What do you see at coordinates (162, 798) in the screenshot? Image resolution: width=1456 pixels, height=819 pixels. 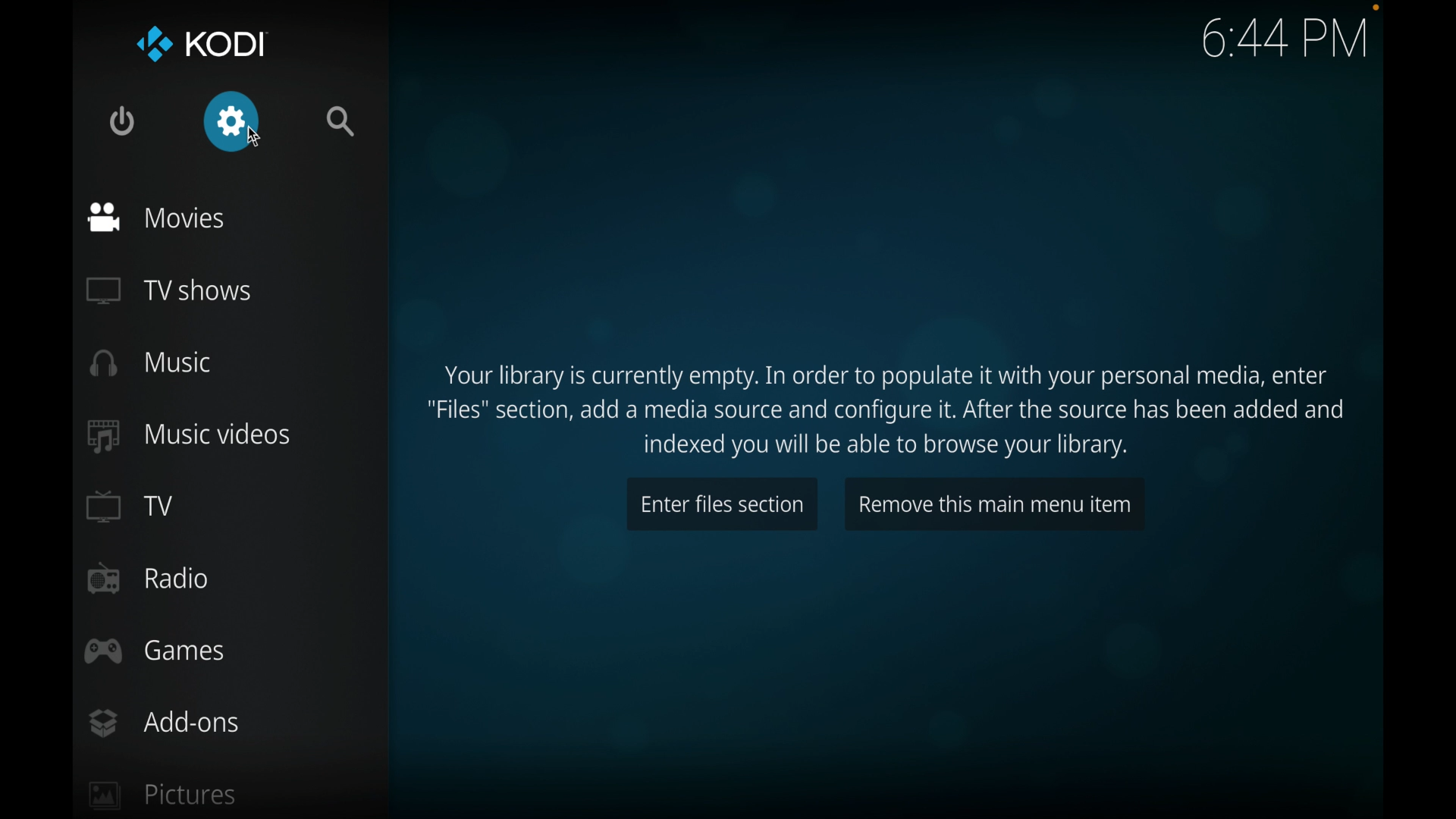 I see `pictures` at bounding box center [162, 798].